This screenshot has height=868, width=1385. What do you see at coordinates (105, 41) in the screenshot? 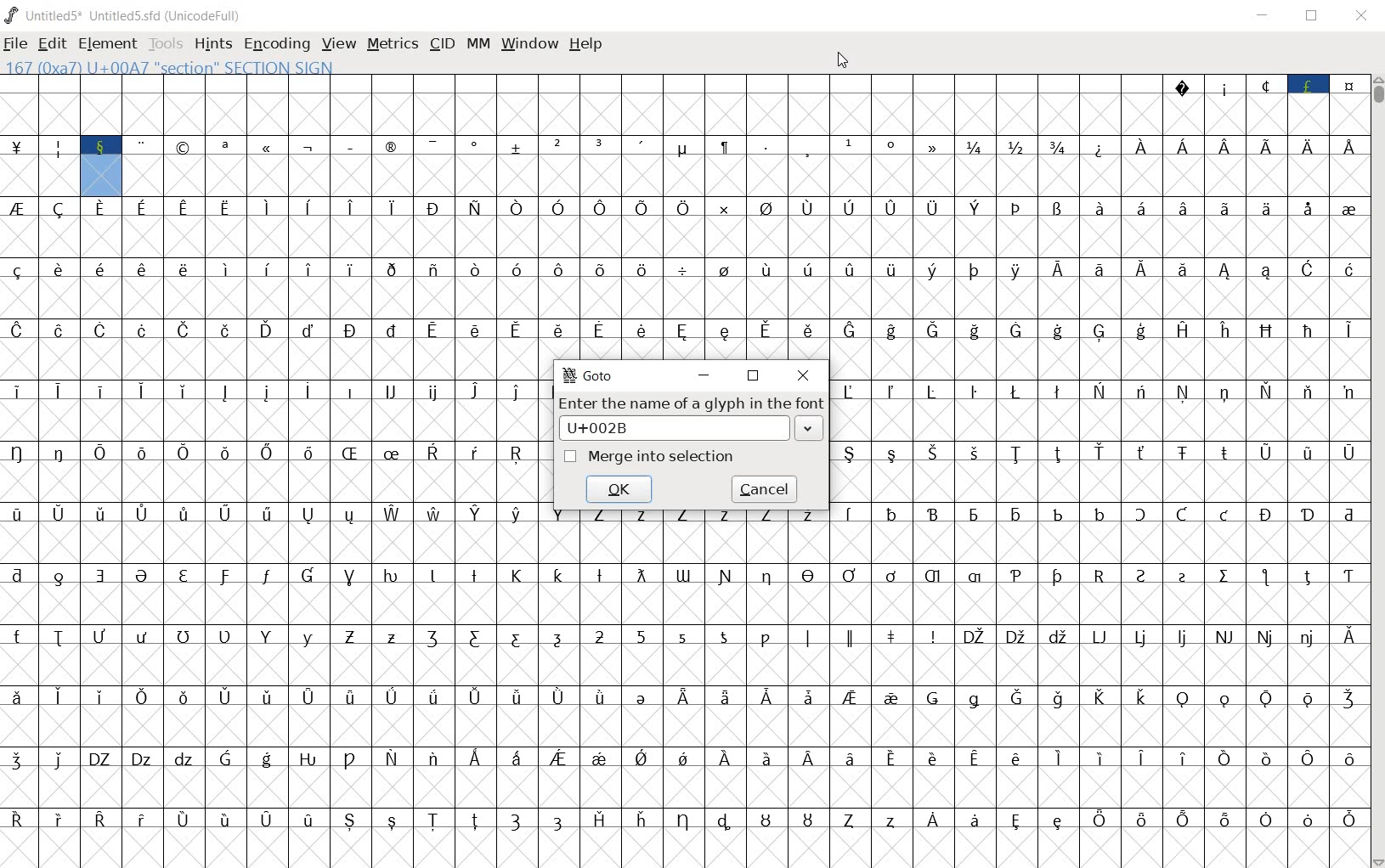
I see `element` at bounding box center [105, 41].